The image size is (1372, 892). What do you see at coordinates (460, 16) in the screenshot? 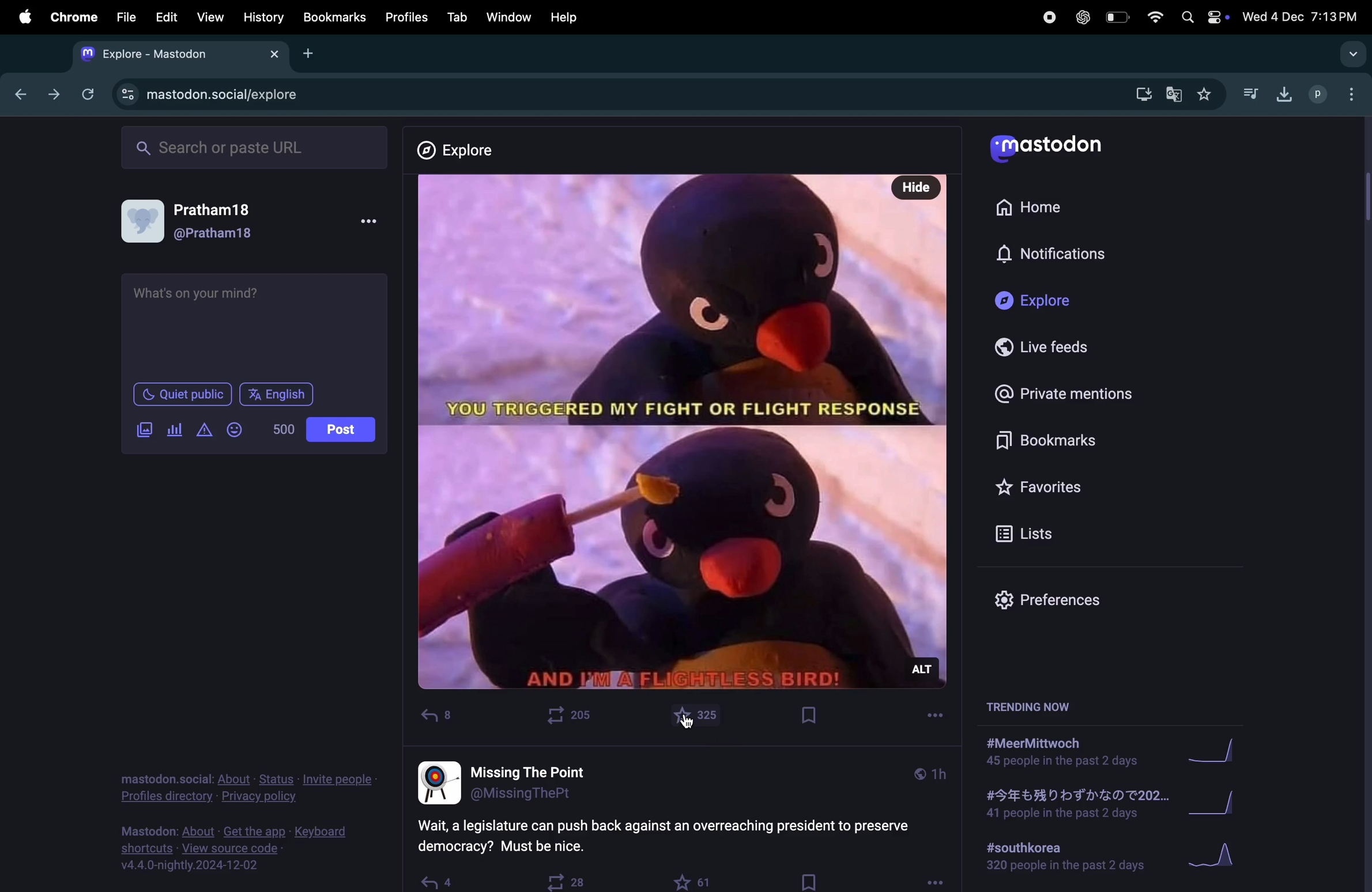
I see `tab` at bounding box center [460, 16].